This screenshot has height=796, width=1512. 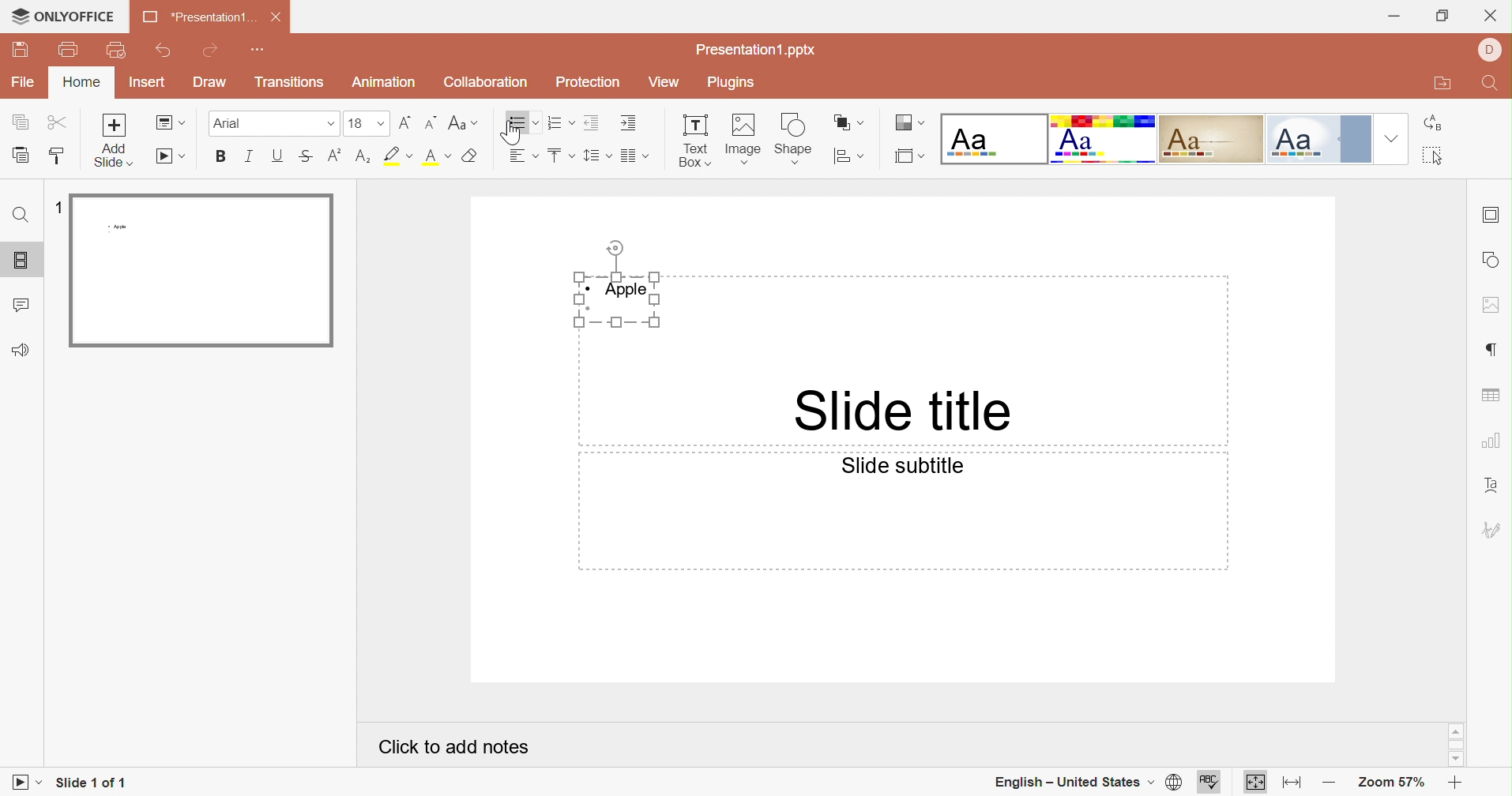 What do you see at coordinates (690, 142) in the screenshot?
I see `Text Box` at bounding box center [690, 142].